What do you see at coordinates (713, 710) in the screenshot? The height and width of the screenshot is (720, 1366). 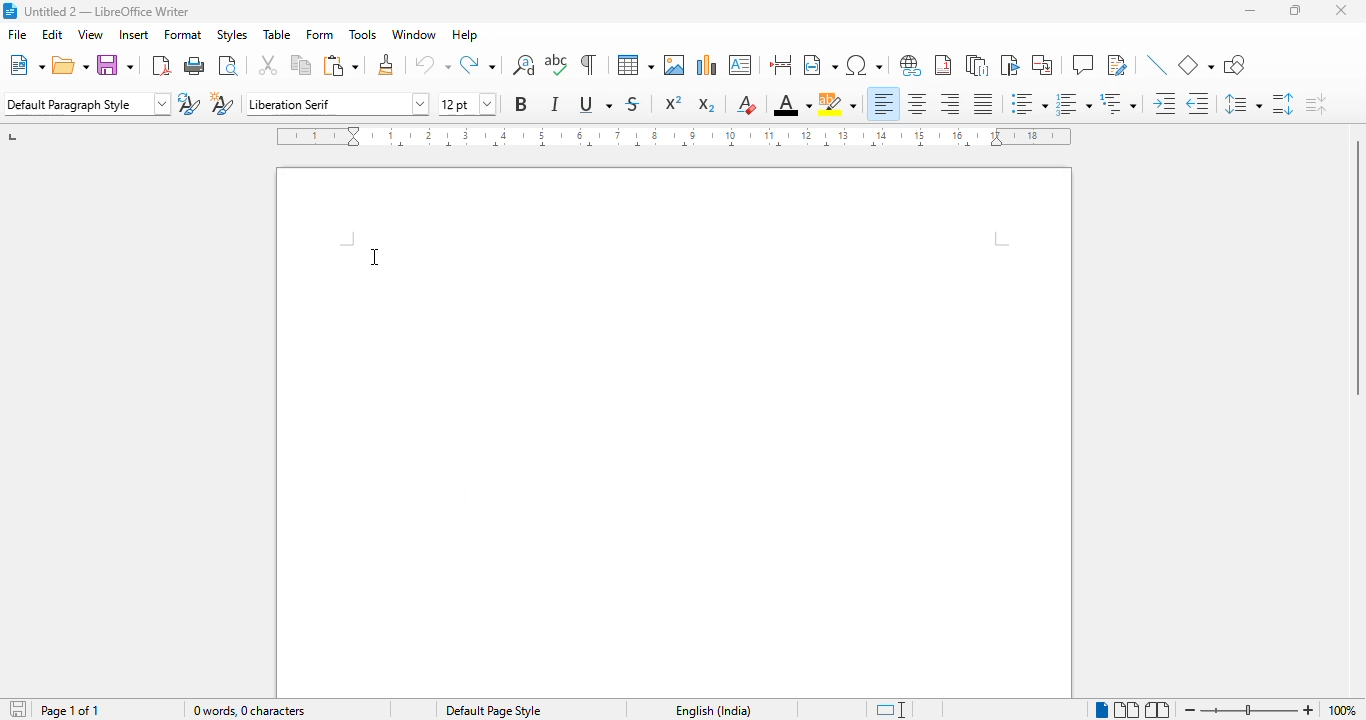 I see `text language` at bounding box center [713, 710].